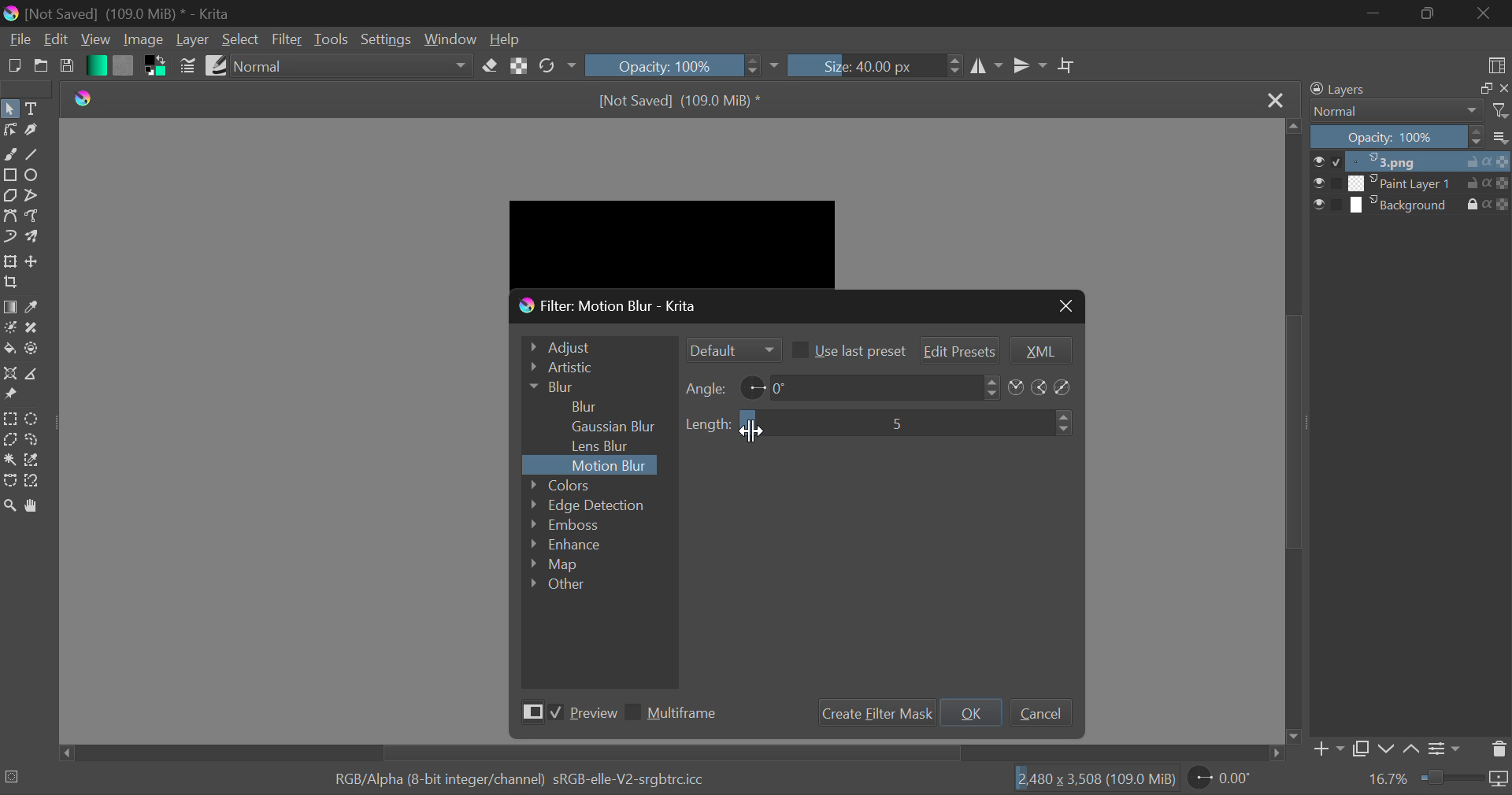 The image size is (1512, 795). I want to click on Settings, so click(384, 38).